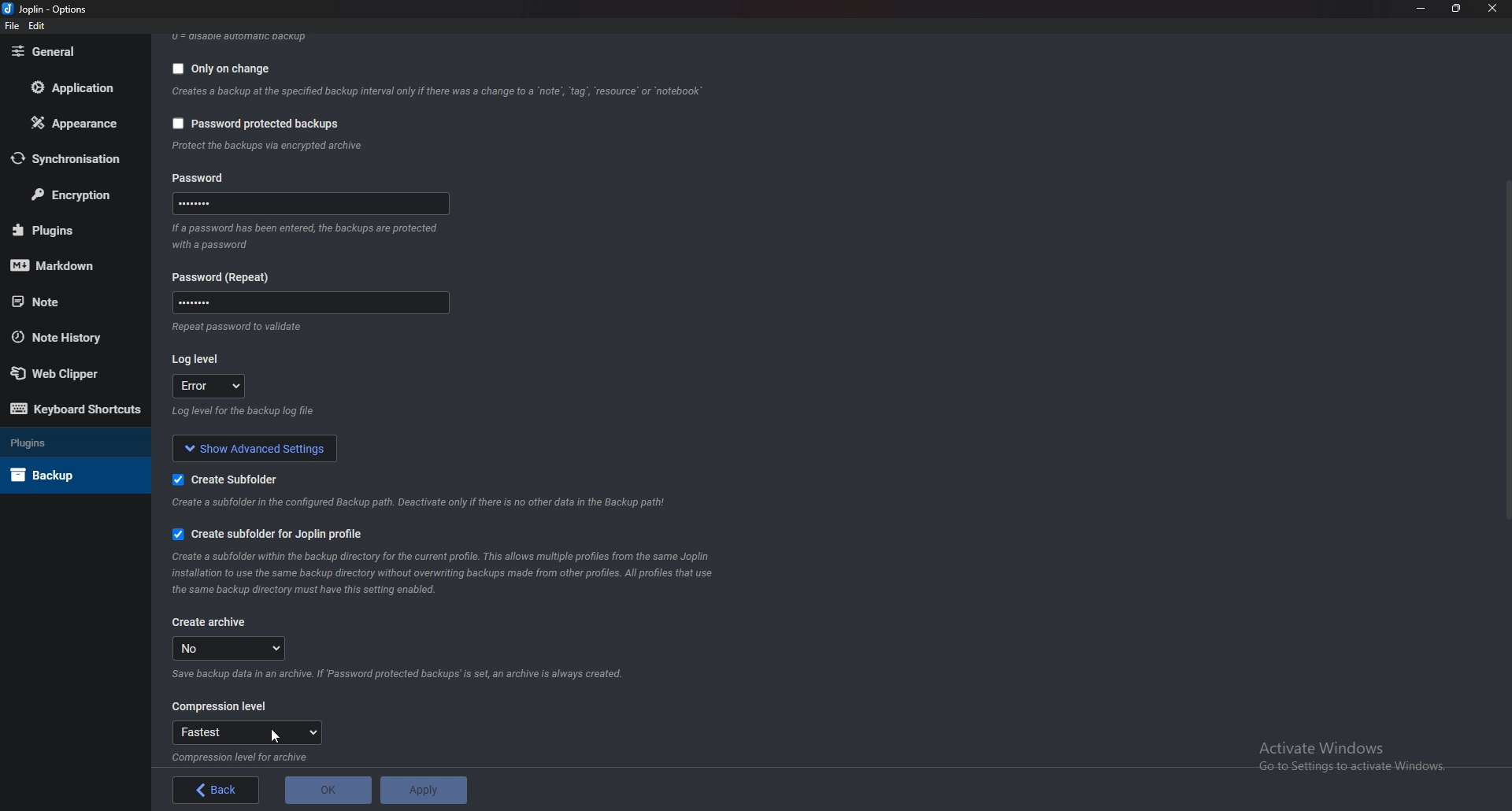 The width and height of the screenshot is (1512, 811). Describe the element at coordinates (268, 146) in the screenshot. I see `info` at that location.